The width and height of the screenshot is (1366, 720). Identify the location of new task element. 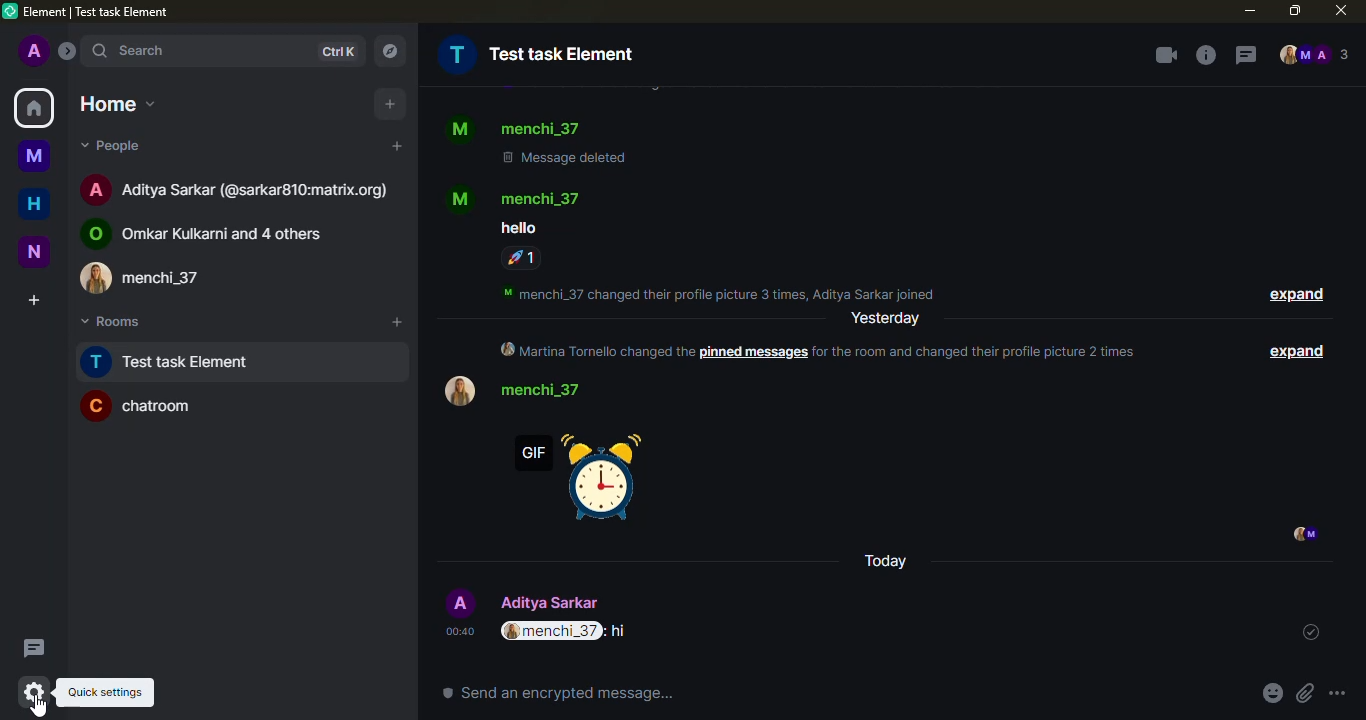
(542, 54).